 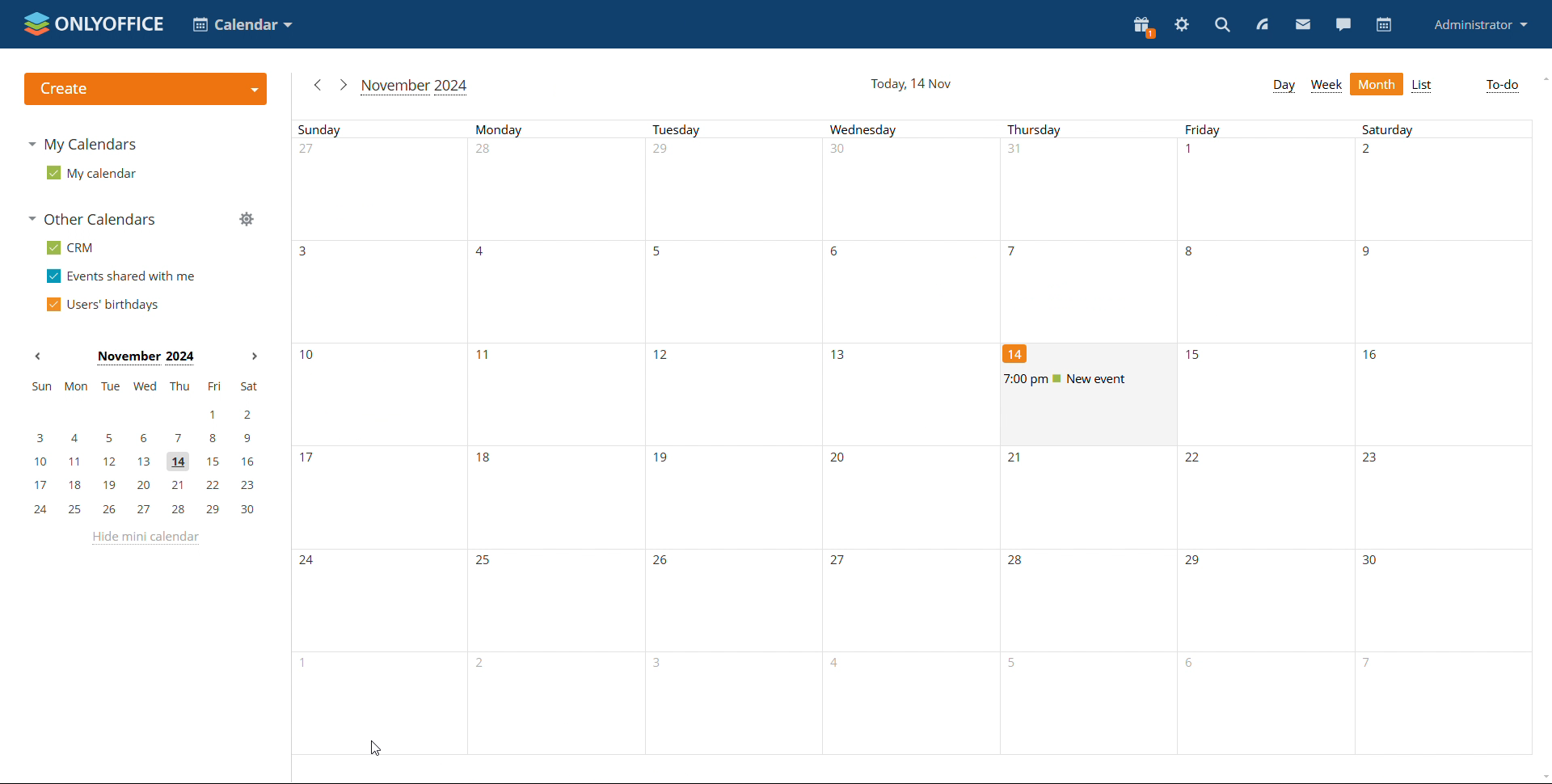 I want to click on next month, so click(x=342, y=85).